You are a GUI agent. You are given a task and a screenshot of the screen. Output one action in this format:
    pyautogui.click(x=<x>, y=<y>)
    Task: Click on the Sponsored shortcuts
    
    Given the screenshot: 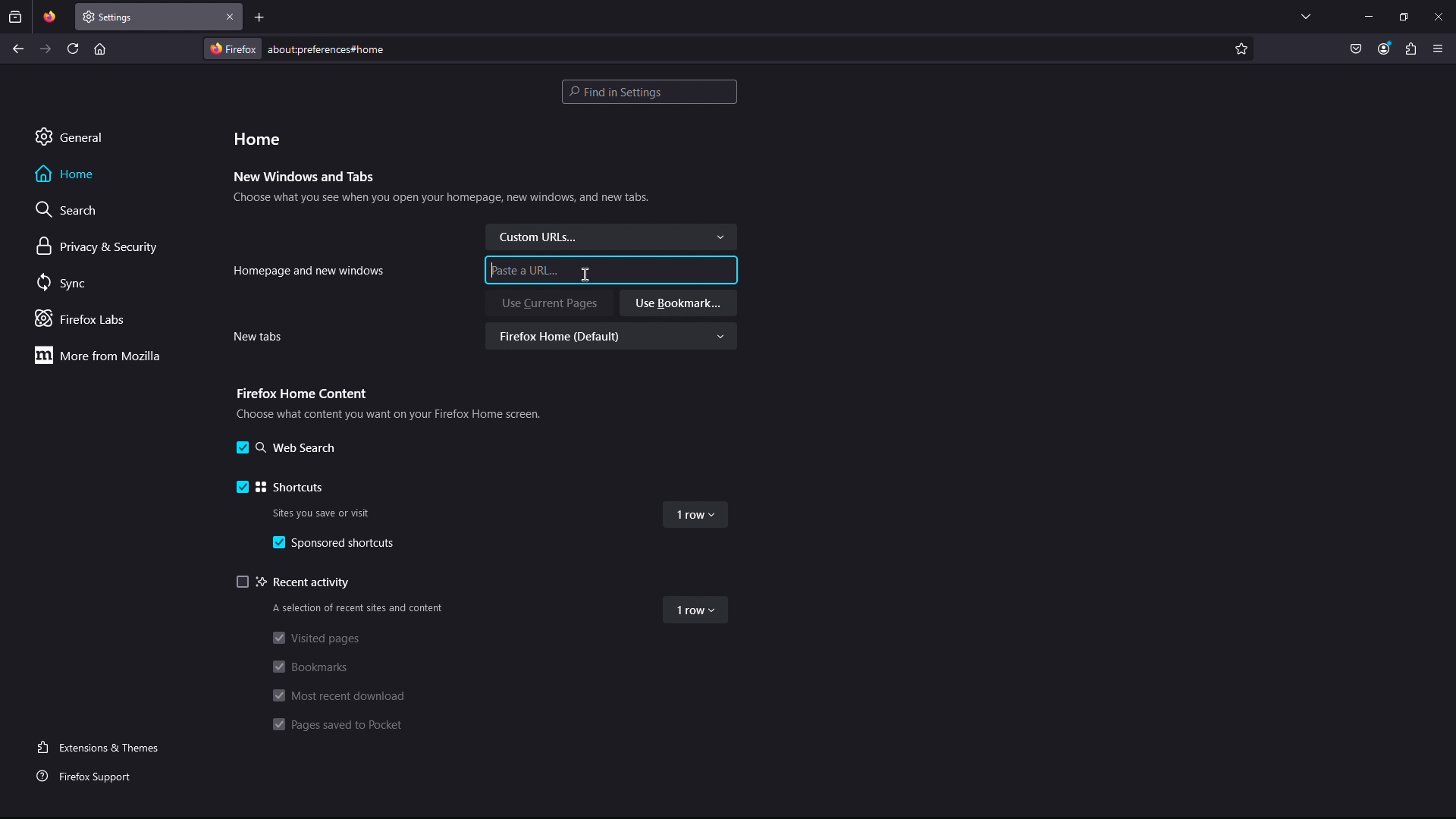 What is the action you would take?
    pyautogui.click(x=338, y=544)
    